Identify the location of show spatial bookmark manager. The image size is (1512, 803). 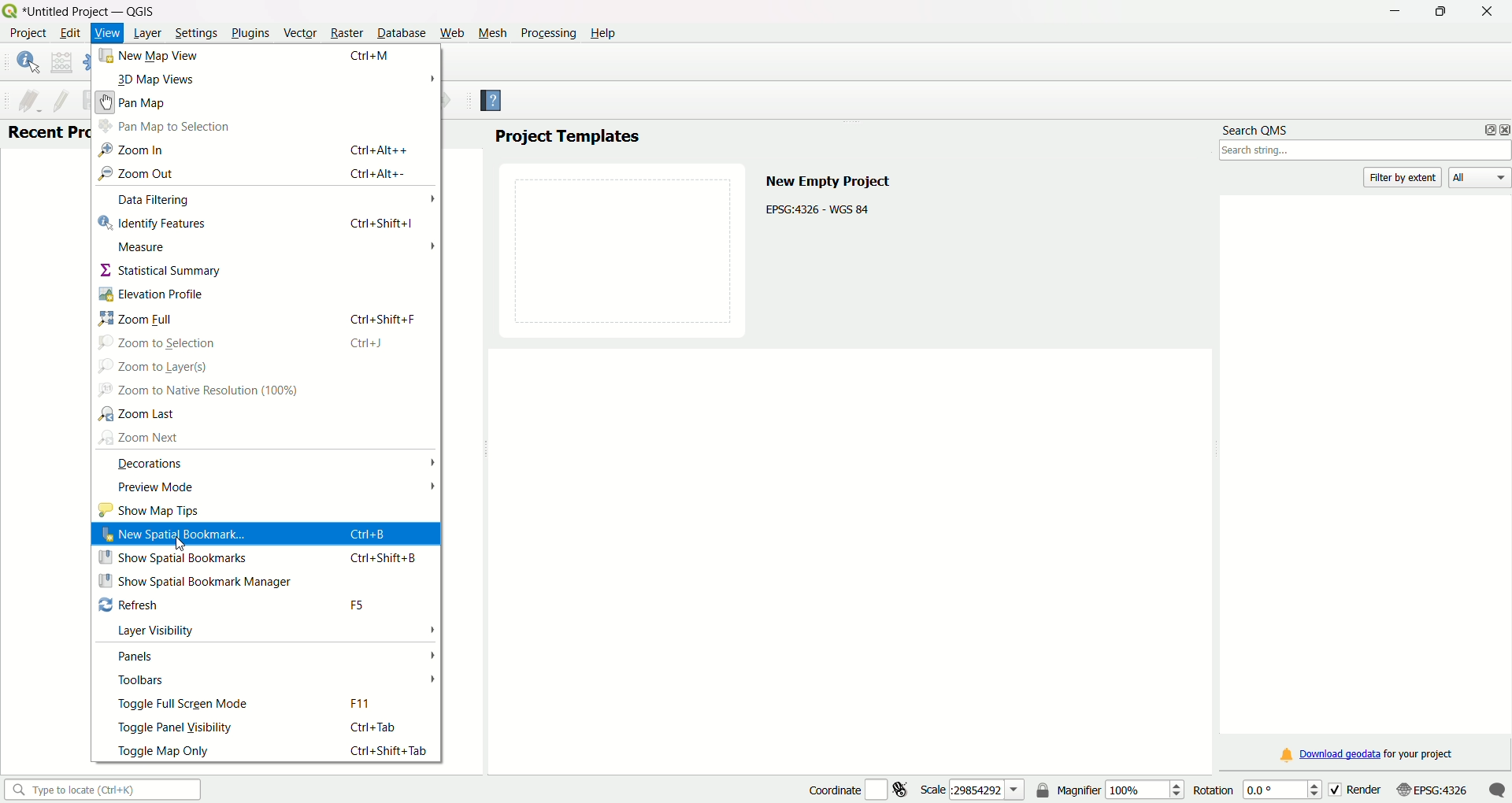
(198, 579).